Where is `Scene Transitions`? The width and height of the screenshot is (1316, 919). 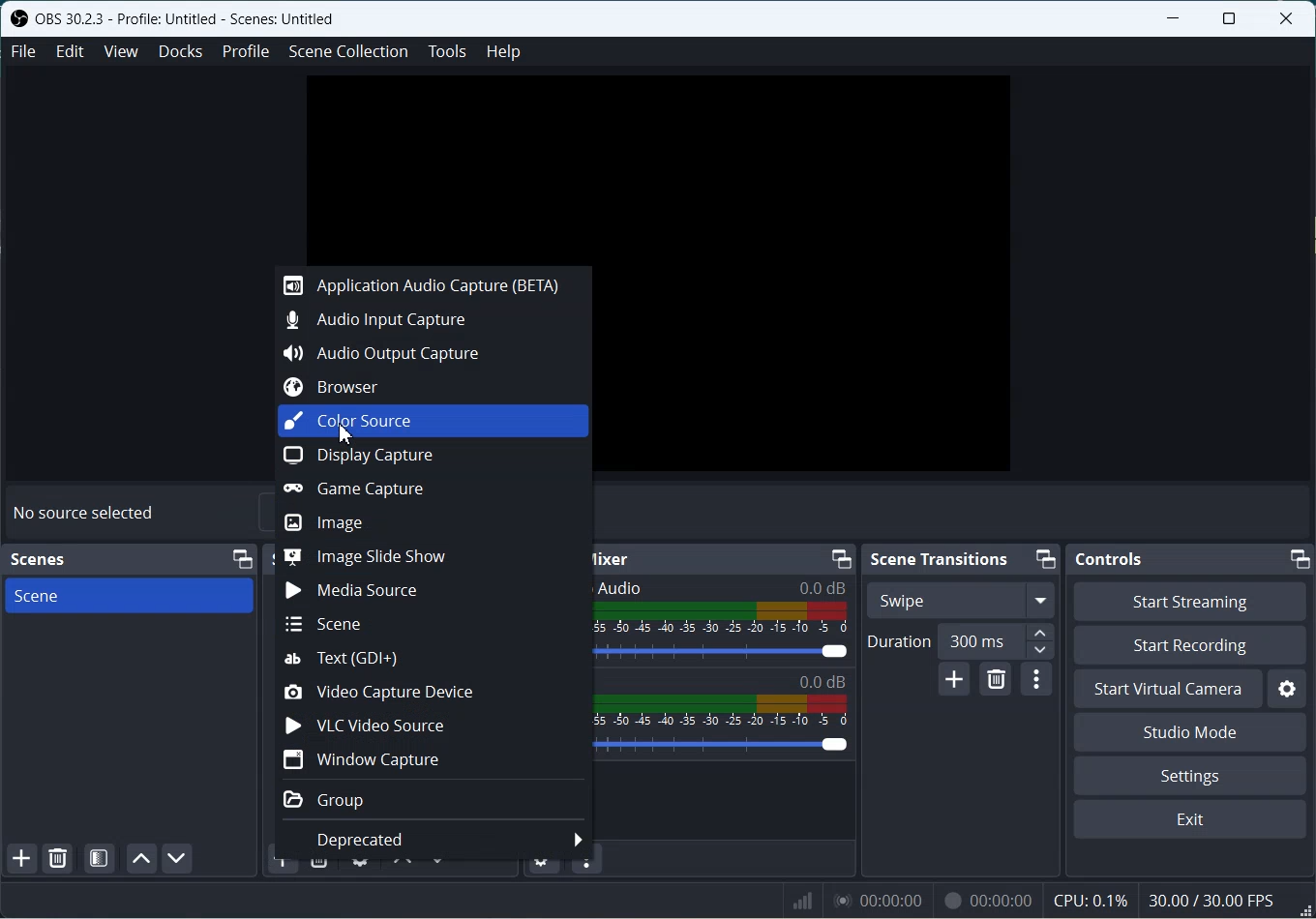
Scene Transitions is located at coordinates (942, 559).